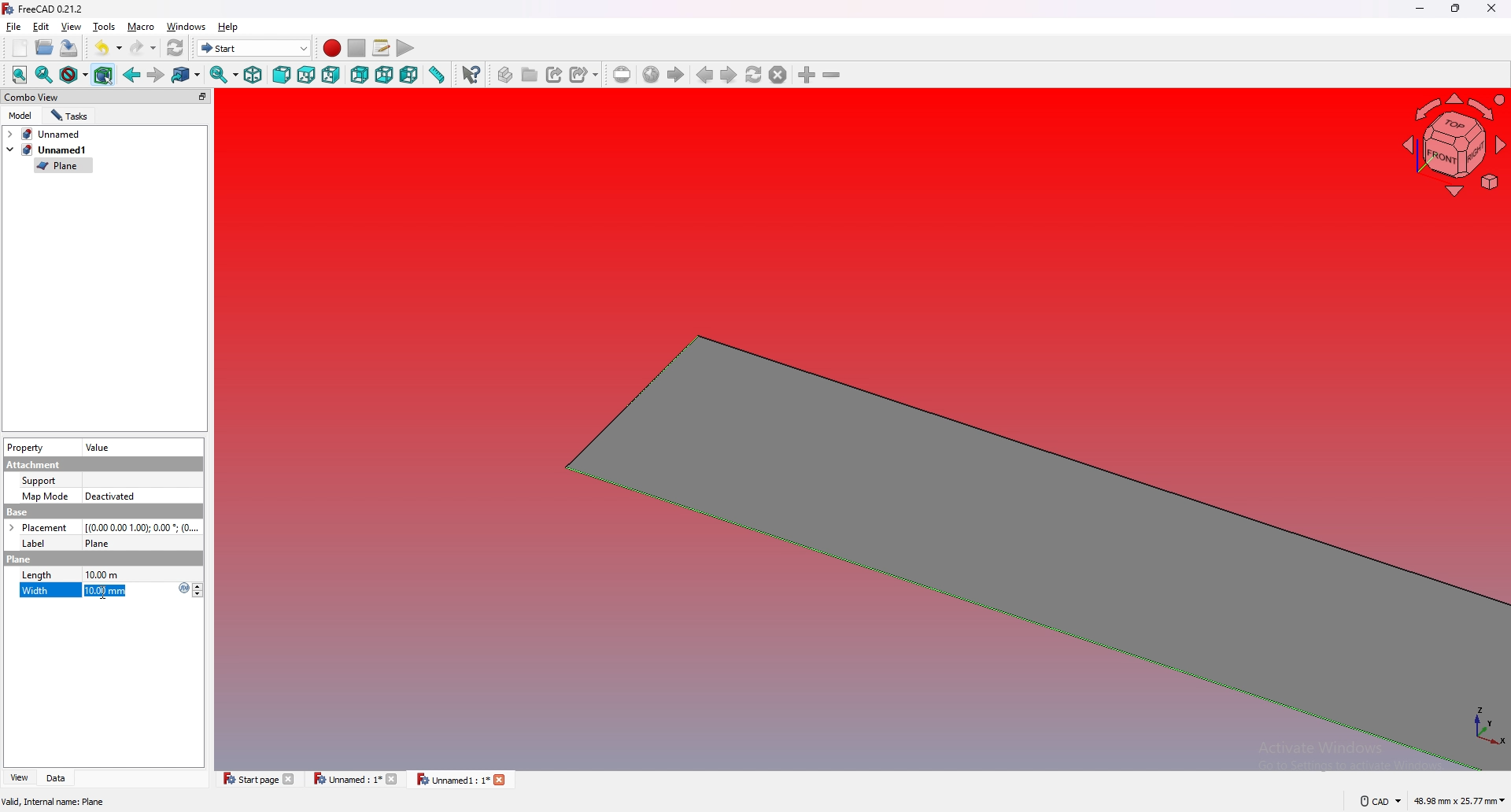  Describe the element at coordinates (360, 76) in the screenshot. I see `rear` at that location.